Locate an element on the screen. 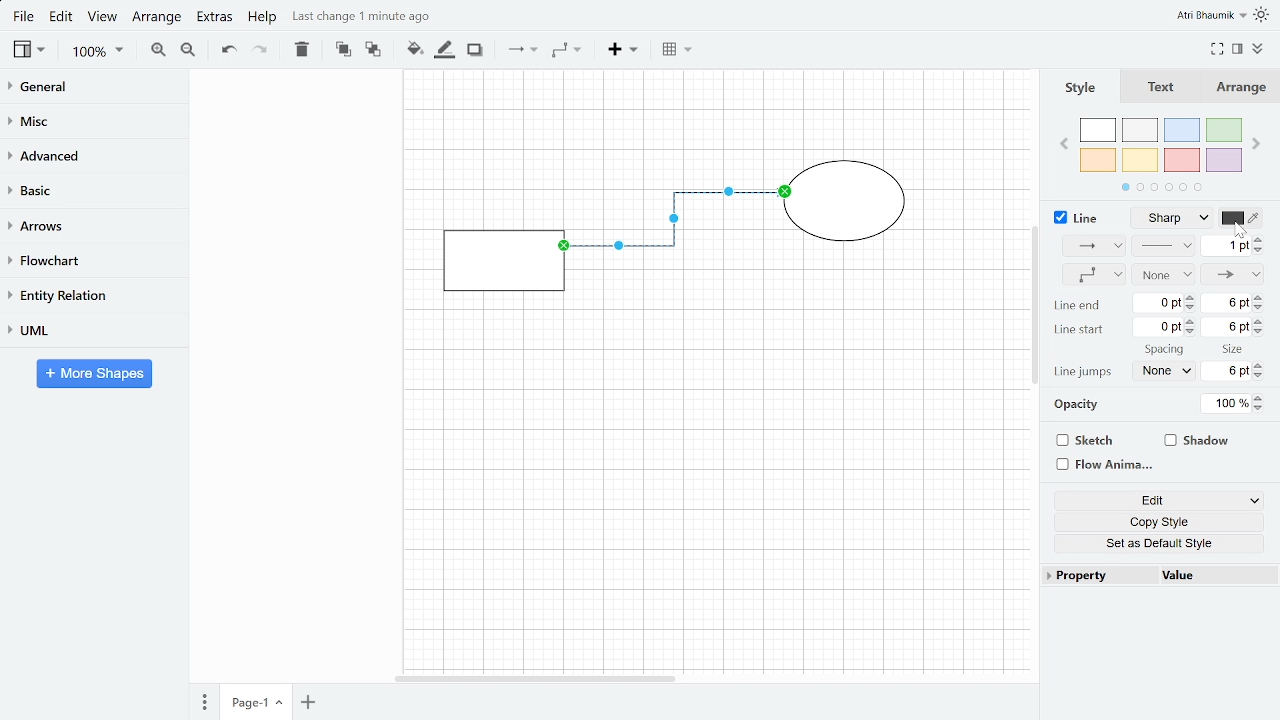 The width and height of the screenshot is (1280, 720). Current line width is located at coordinates (1226, 247).